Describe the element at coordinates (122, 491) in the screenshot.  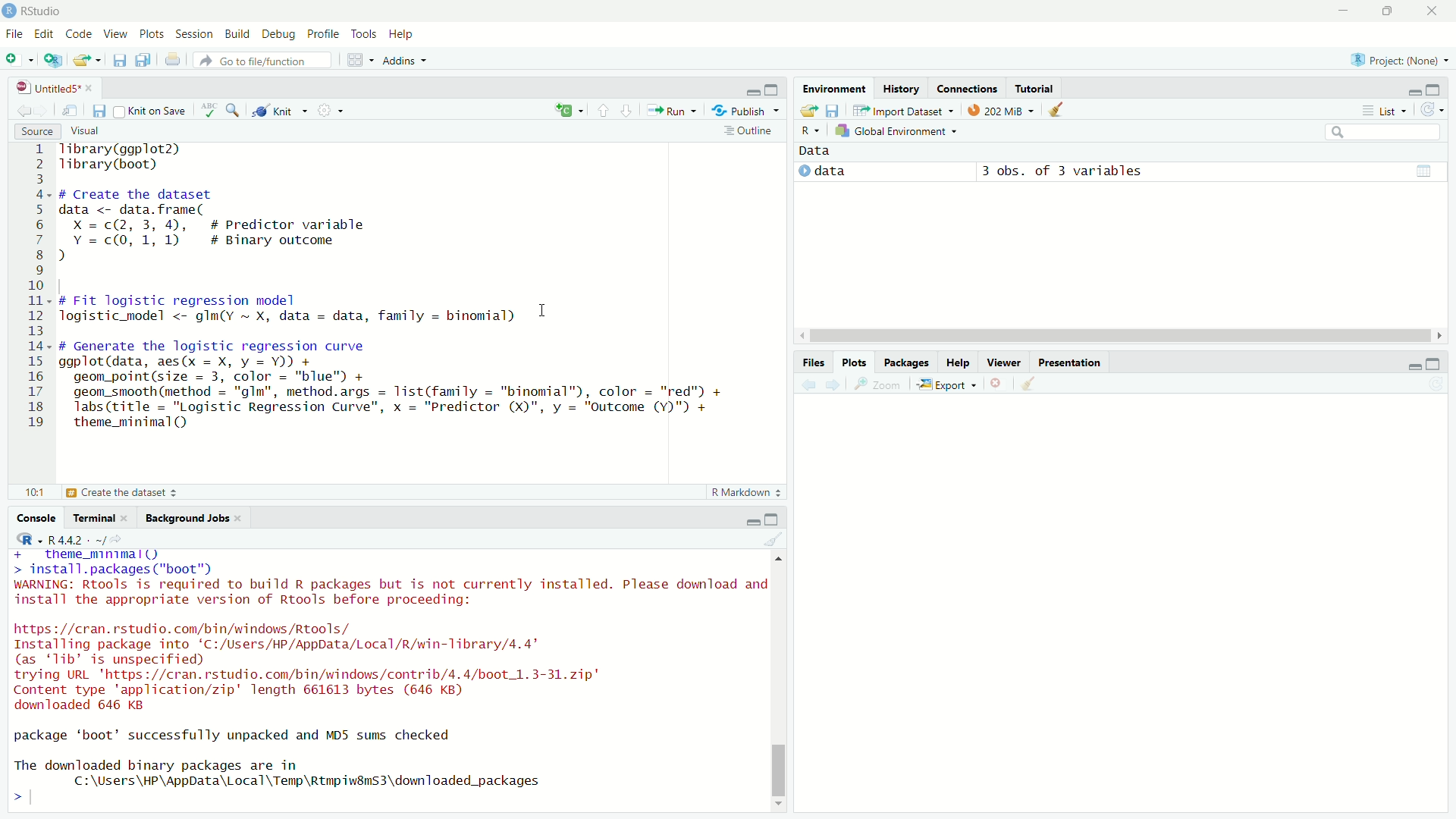
I see `Create the dataset` at that location.